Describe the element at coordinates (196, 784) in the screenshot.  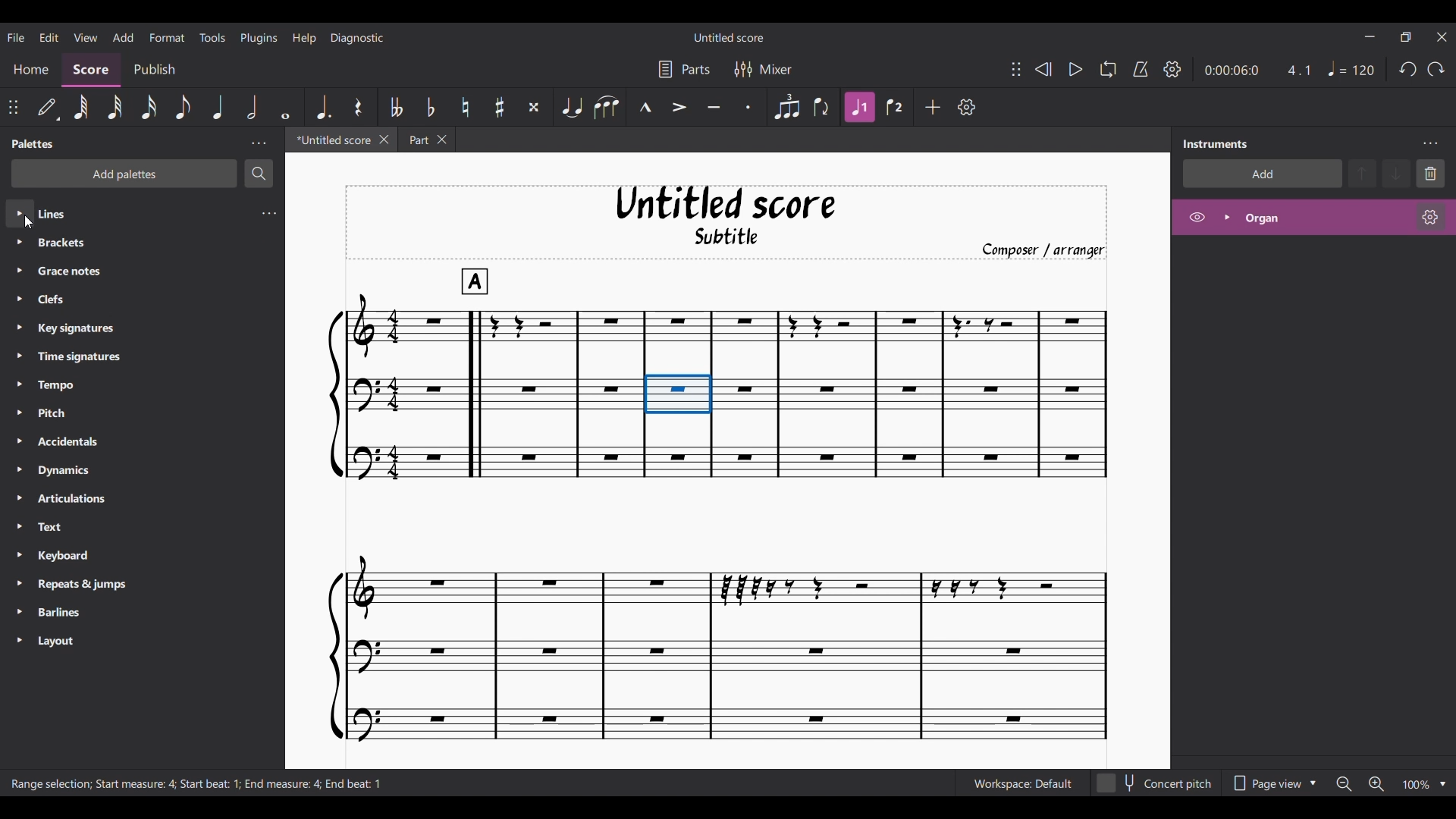
I see `Description of current selection` at that location.